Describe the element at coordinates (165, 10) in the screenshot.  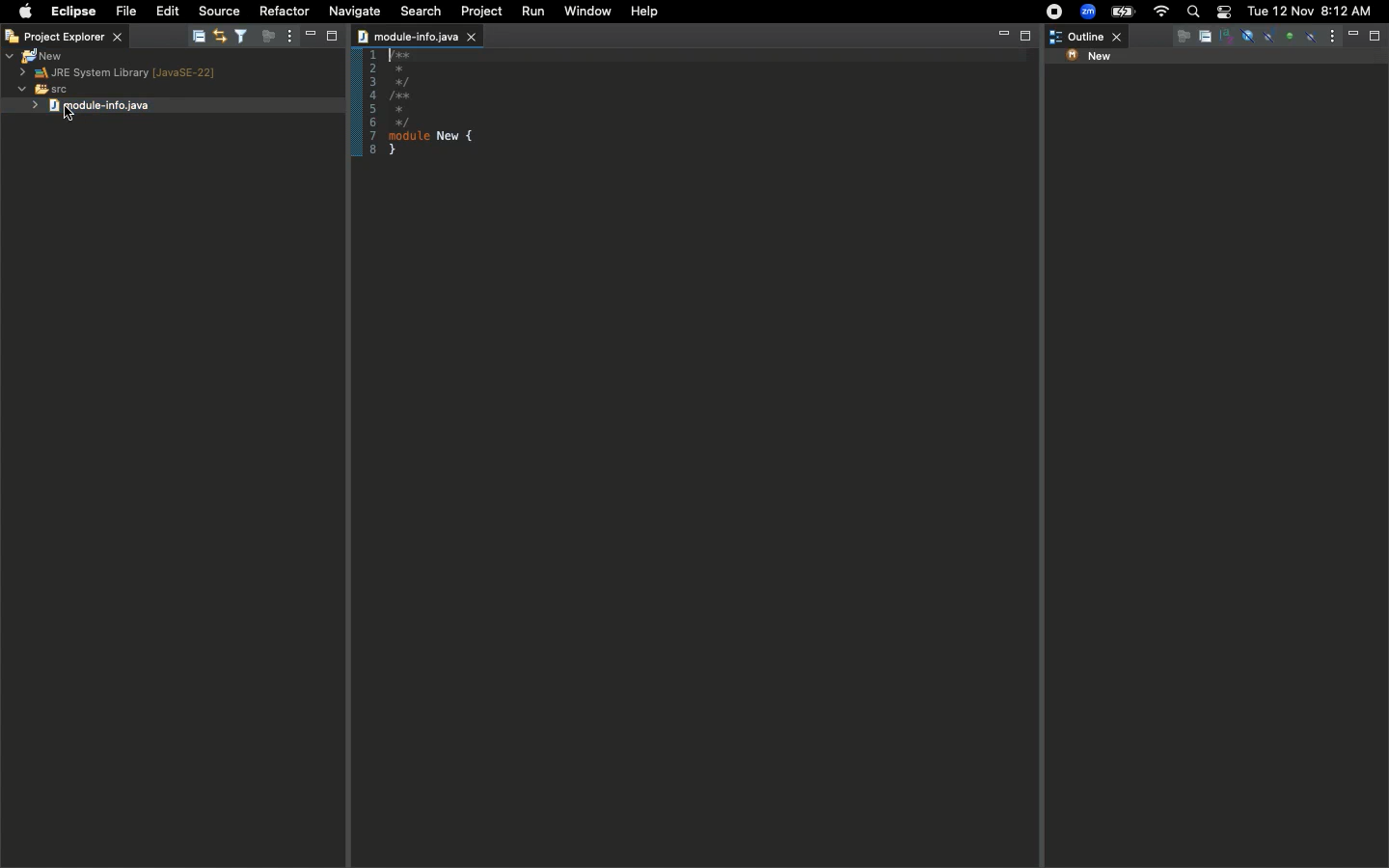
I see `Edit` at that location.